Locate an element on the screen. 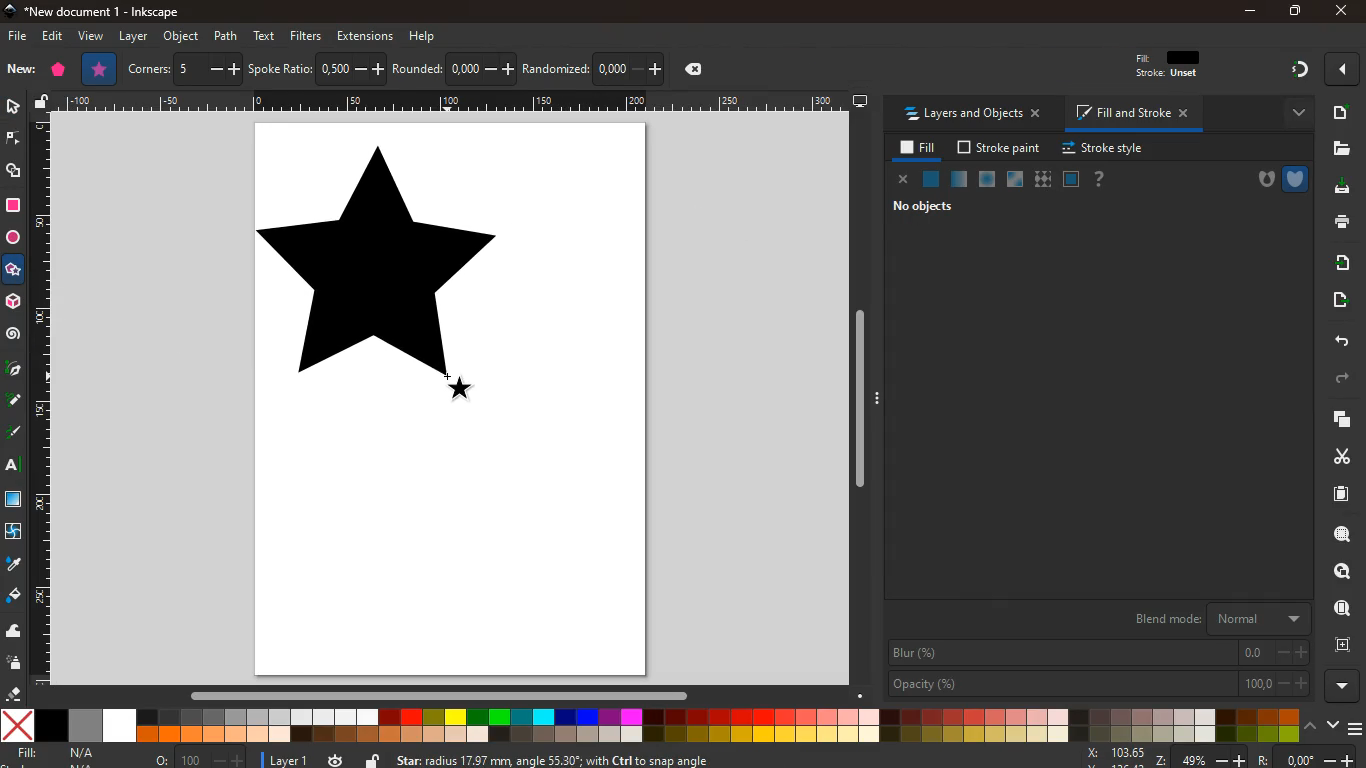 Image resolution: width=1366 pixels, height=768 pixels. move is located at coordinates (1337, 301).